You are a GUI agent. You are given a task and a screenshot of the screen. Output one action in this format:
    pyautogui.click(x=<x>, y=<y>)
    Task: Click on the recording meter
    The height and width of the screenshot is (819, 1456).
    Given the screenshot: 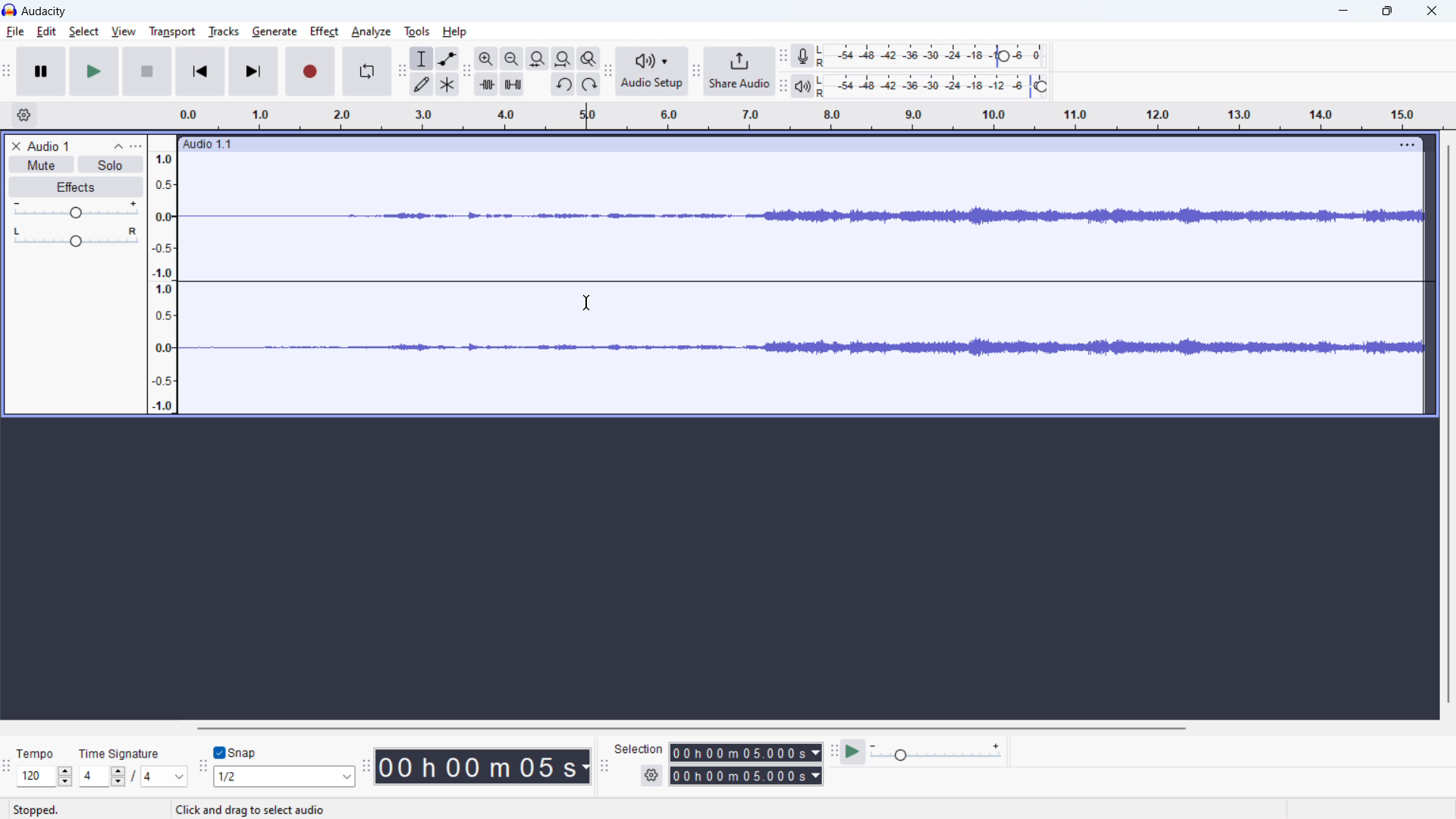 What is the action you would take?
    pyautogui.click(x=943, y=44)
    